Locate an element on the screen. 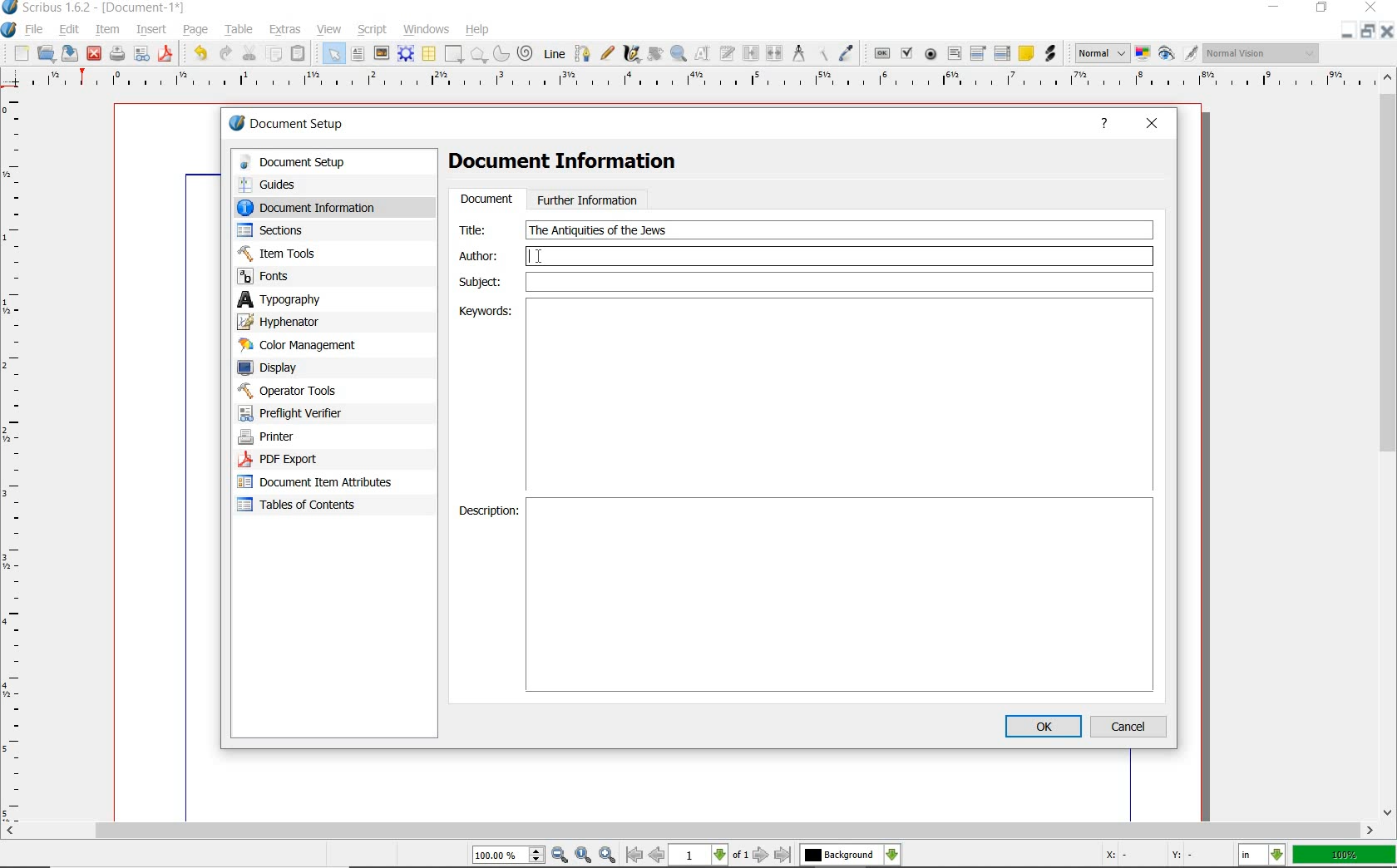 This screenshot has height=868, width=1397. pdf check box is located at coordinates (908, 52).